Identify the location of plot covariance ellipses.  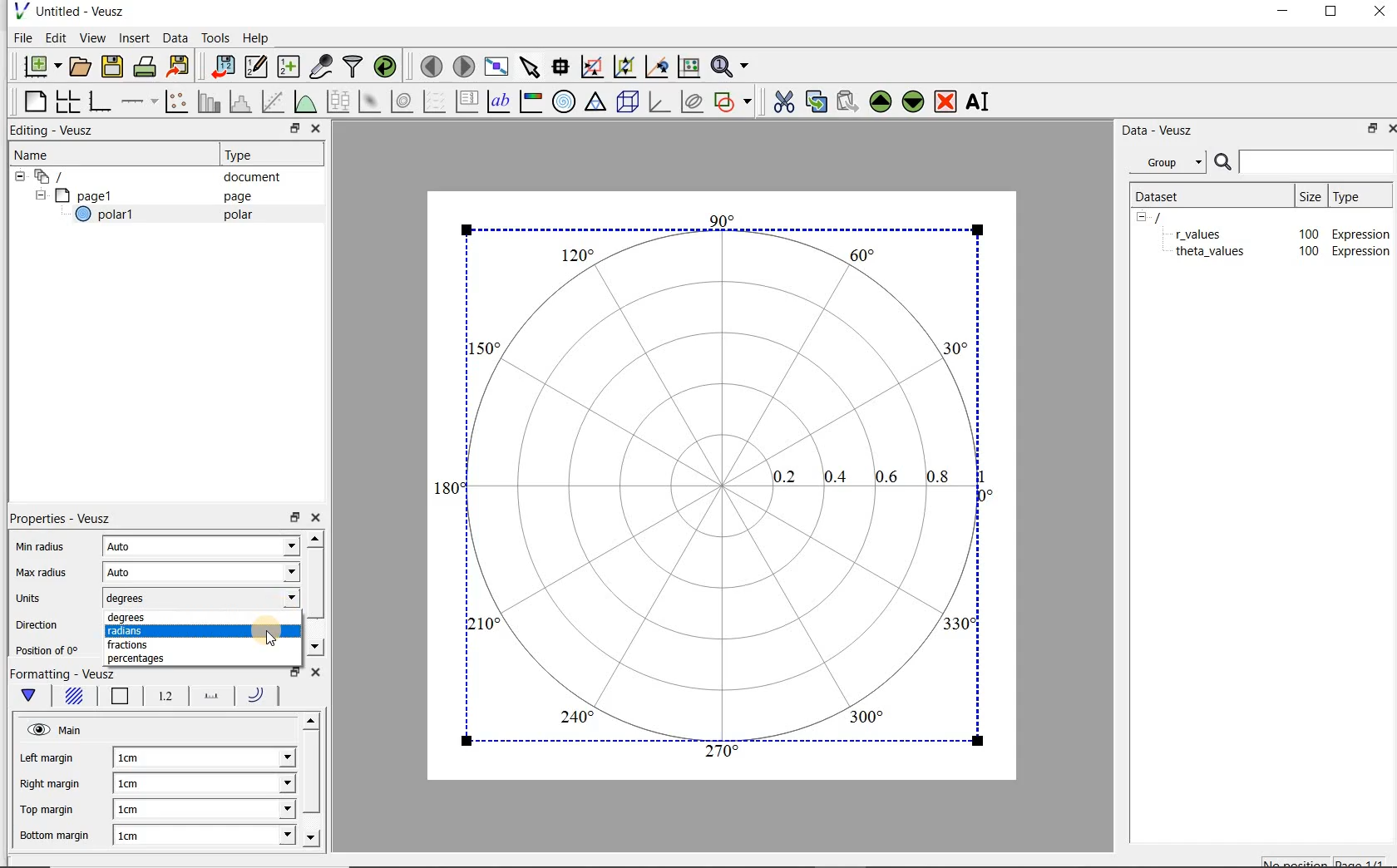
(693, 101).